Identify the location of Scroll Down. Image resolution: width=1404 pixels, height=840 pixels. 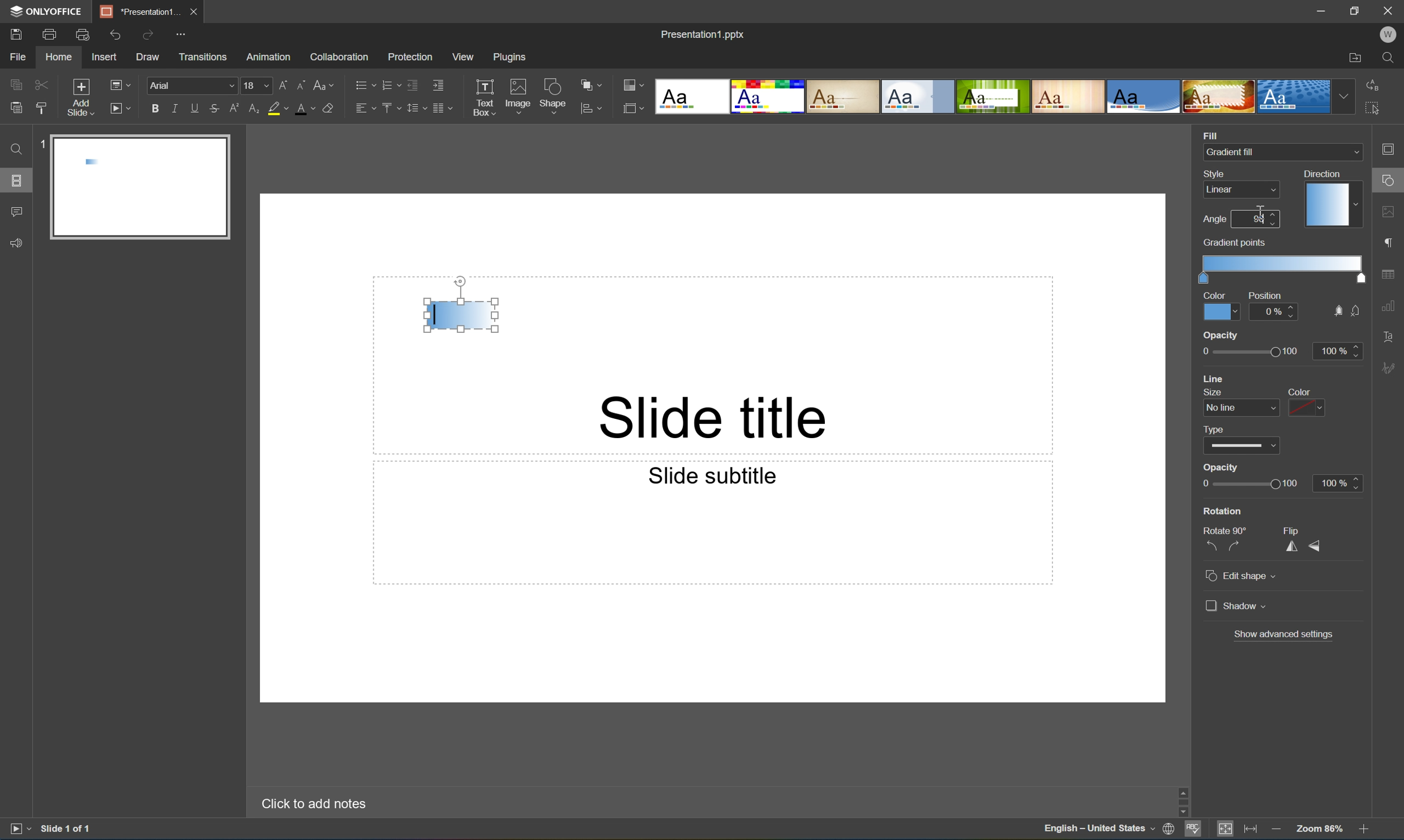
(1363, 812).